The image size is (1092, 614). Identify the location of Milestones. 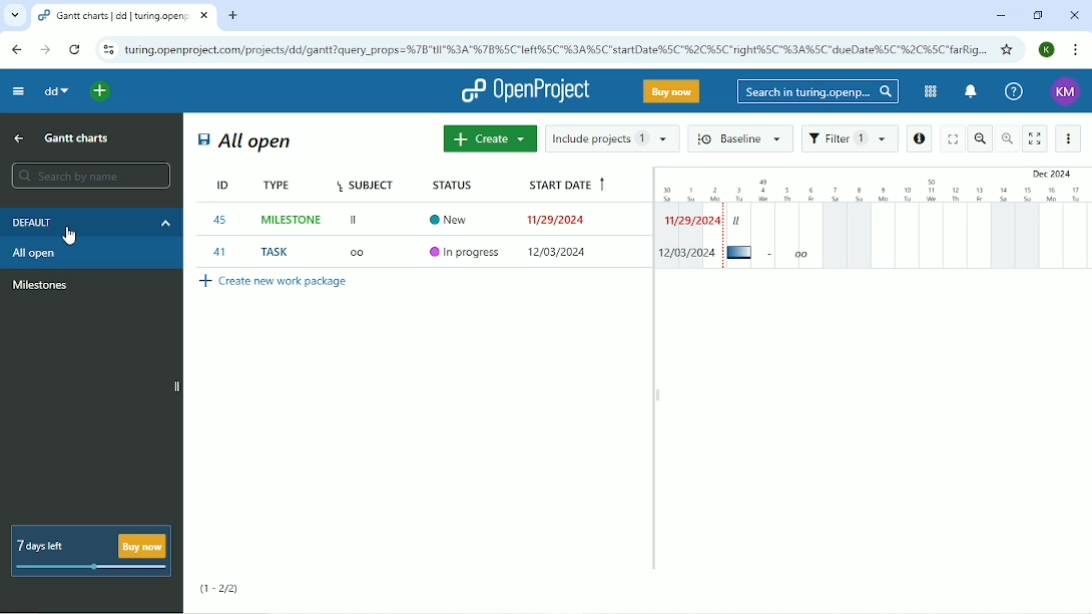
(42, 285).